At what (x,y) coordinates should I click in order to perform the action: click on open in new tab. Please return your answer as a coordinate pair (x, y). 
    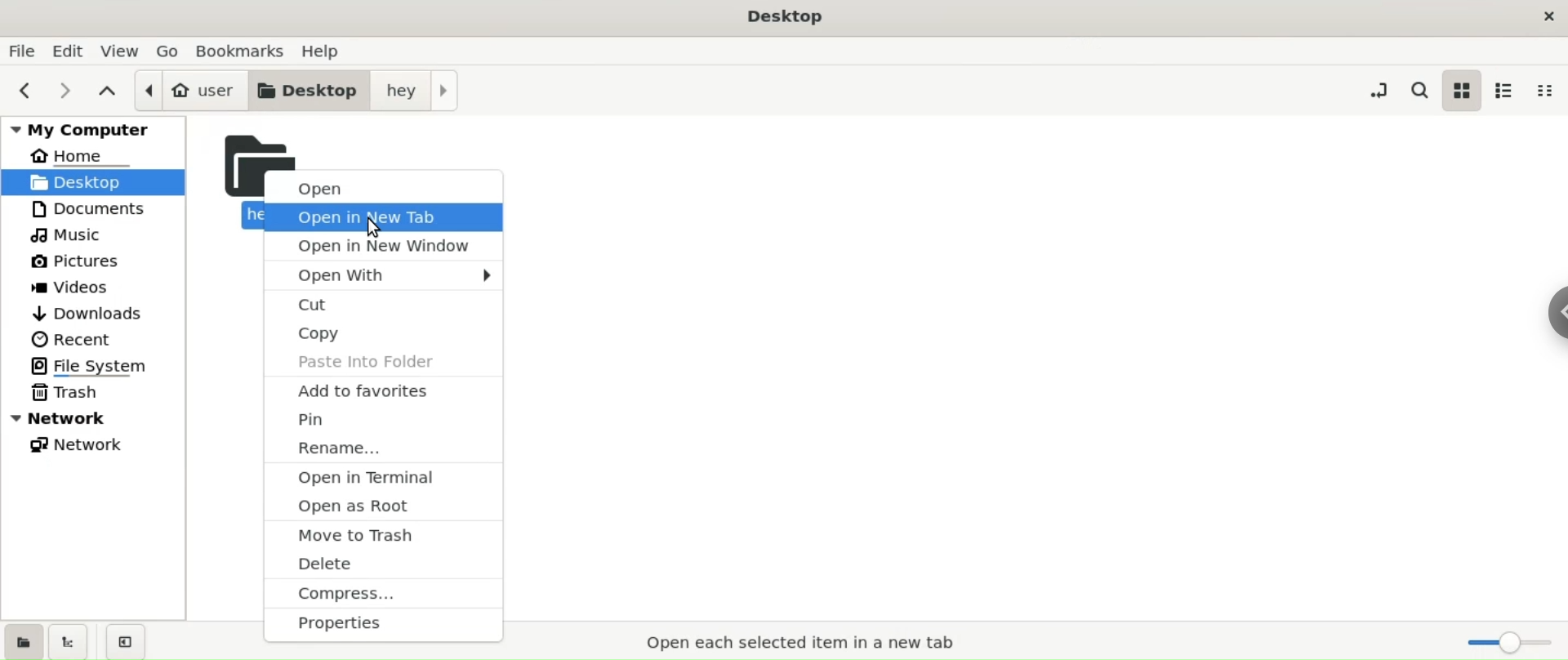
    Looking at the image, I should click on (387, 218).